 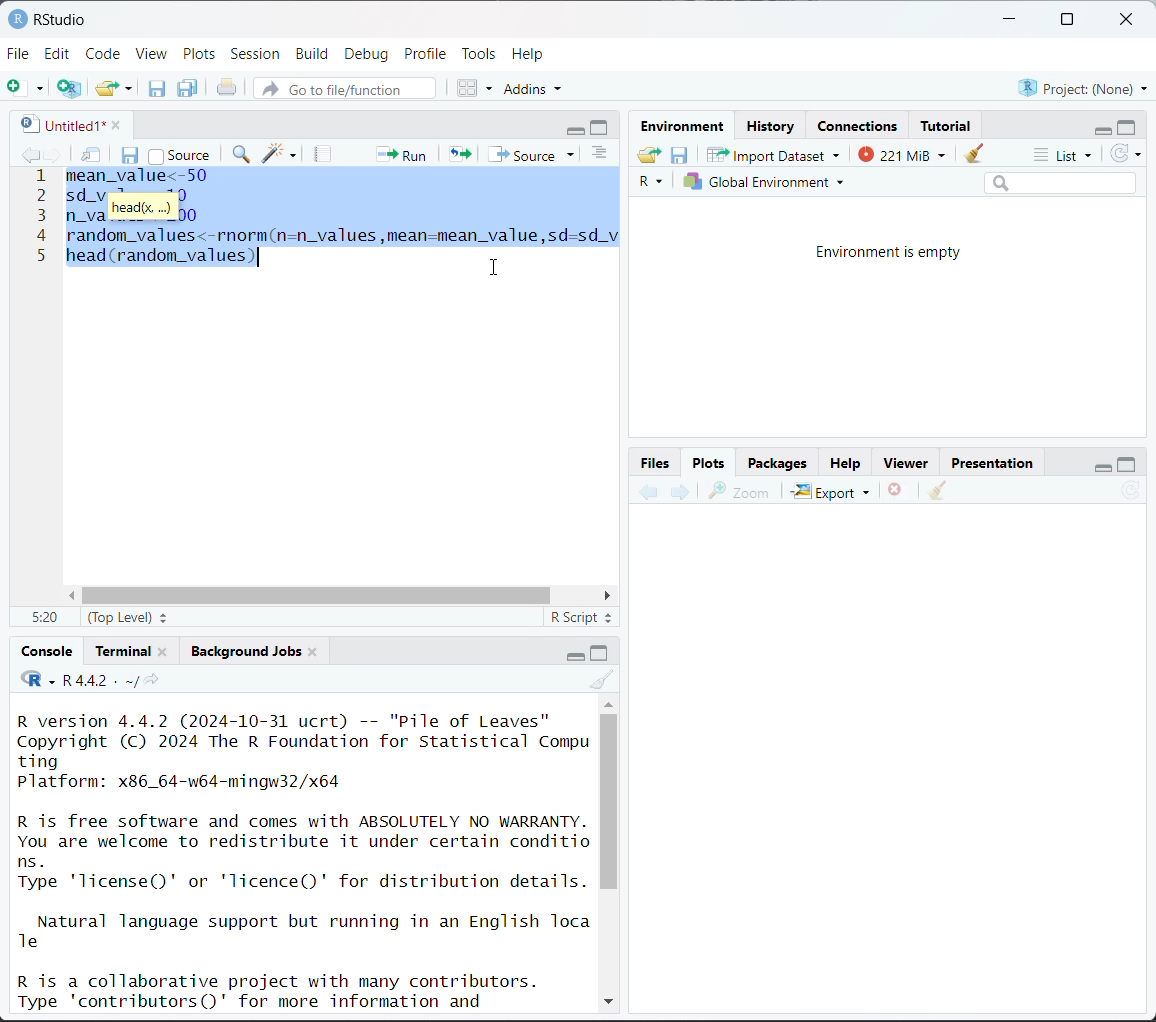 What do you see at coordinates (47, 18) in the screenshot?
I see `RStudio` at bounding box center [47, 18].